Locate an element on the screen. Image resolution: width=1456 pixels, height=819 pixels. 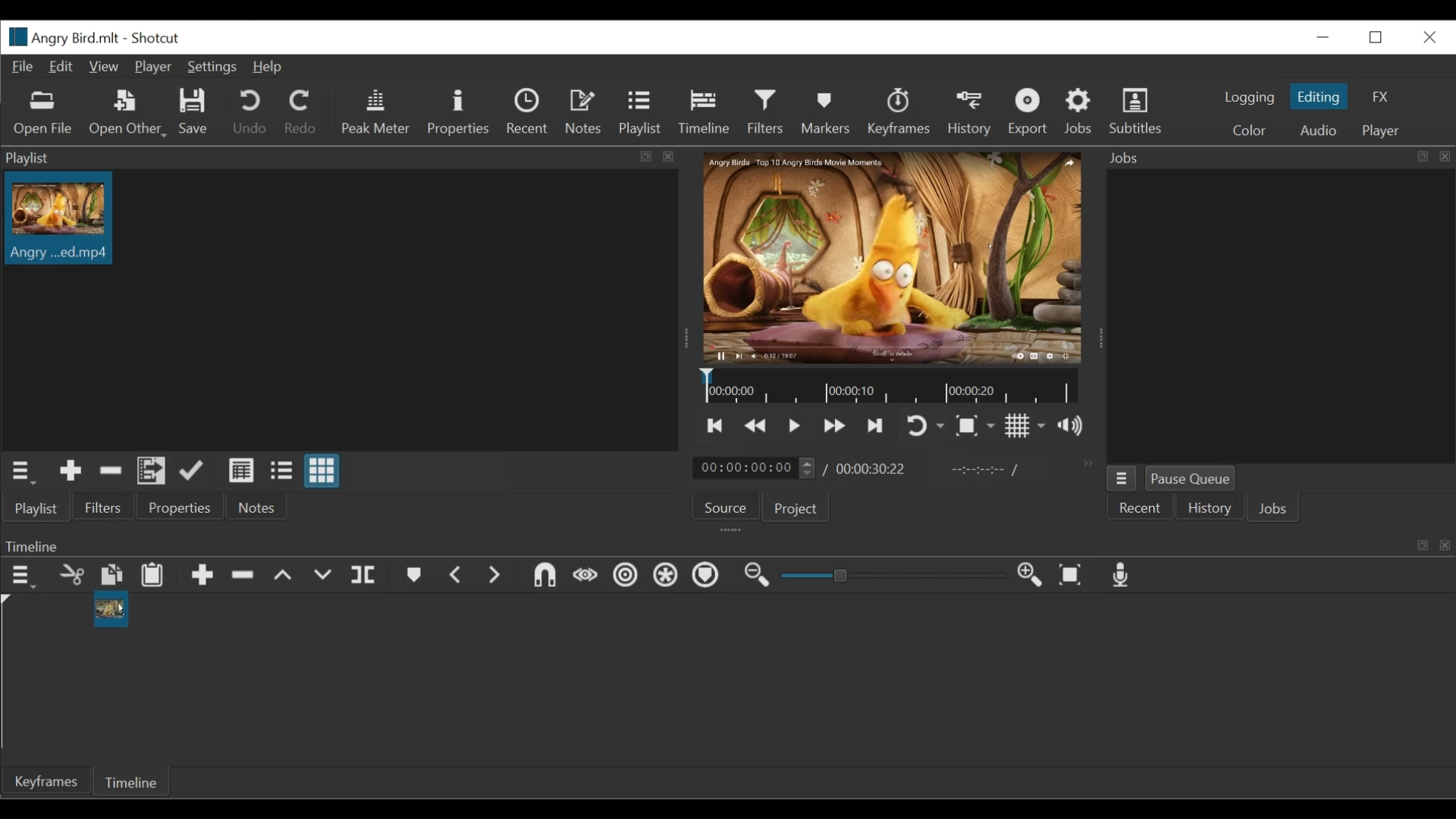
Update is located at coordinates (192, 470).